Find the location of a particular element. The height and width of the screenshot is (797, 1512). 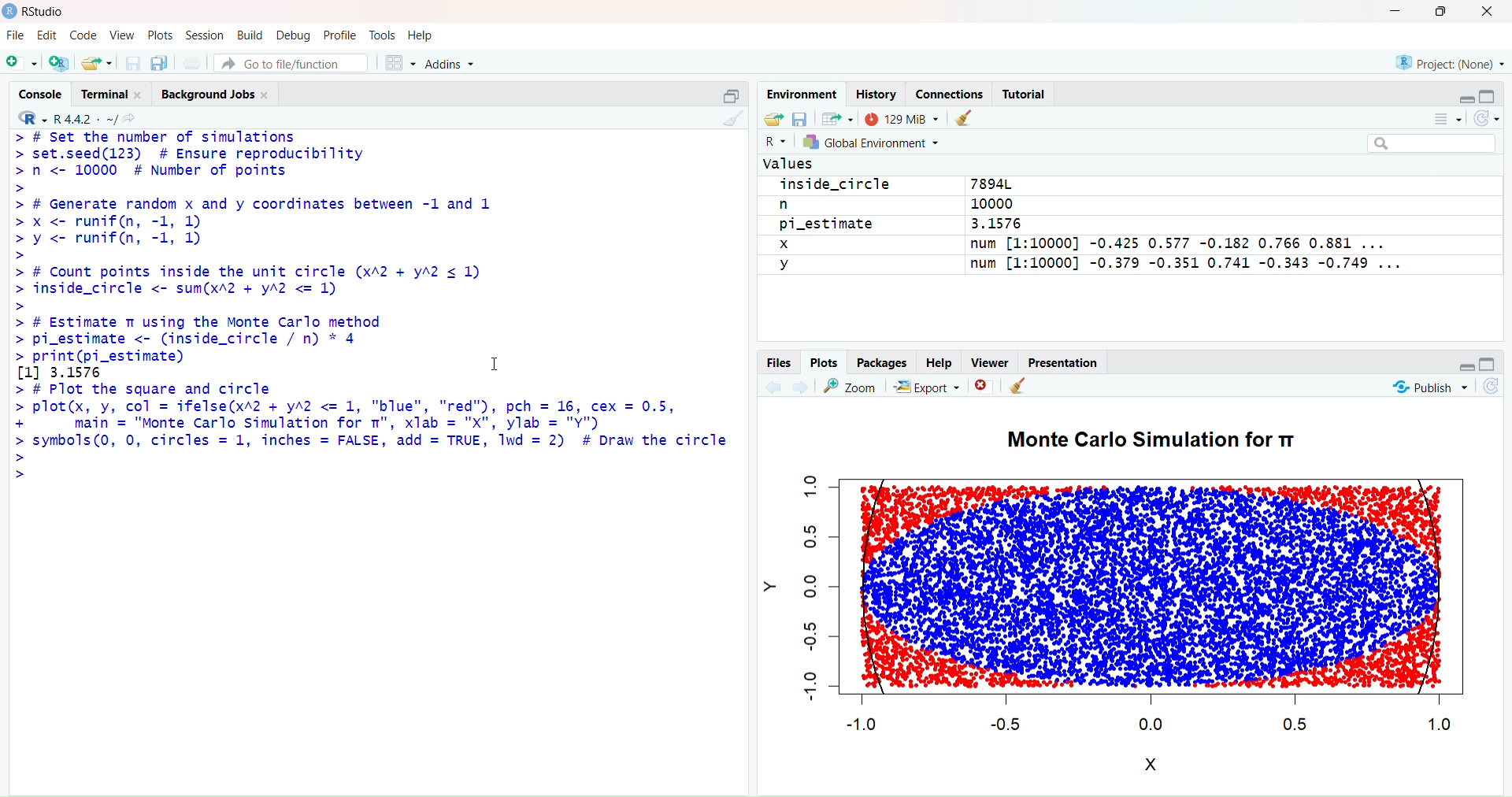

Clear console (Ctrl +L) is located at coordinates (968, 117).